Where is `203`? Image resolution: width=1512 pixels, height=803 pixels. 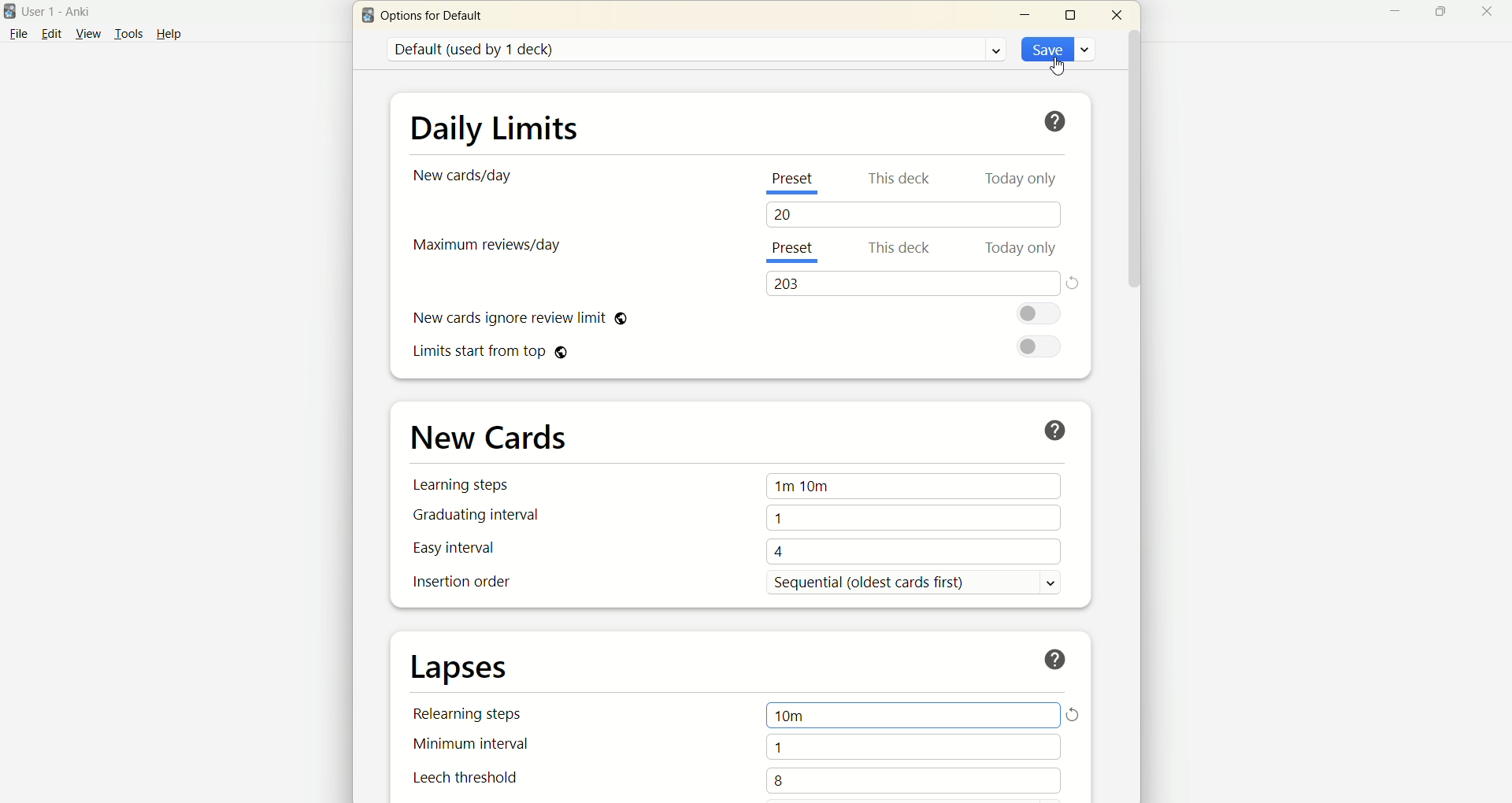 203 is located at coordinates (910, 283).